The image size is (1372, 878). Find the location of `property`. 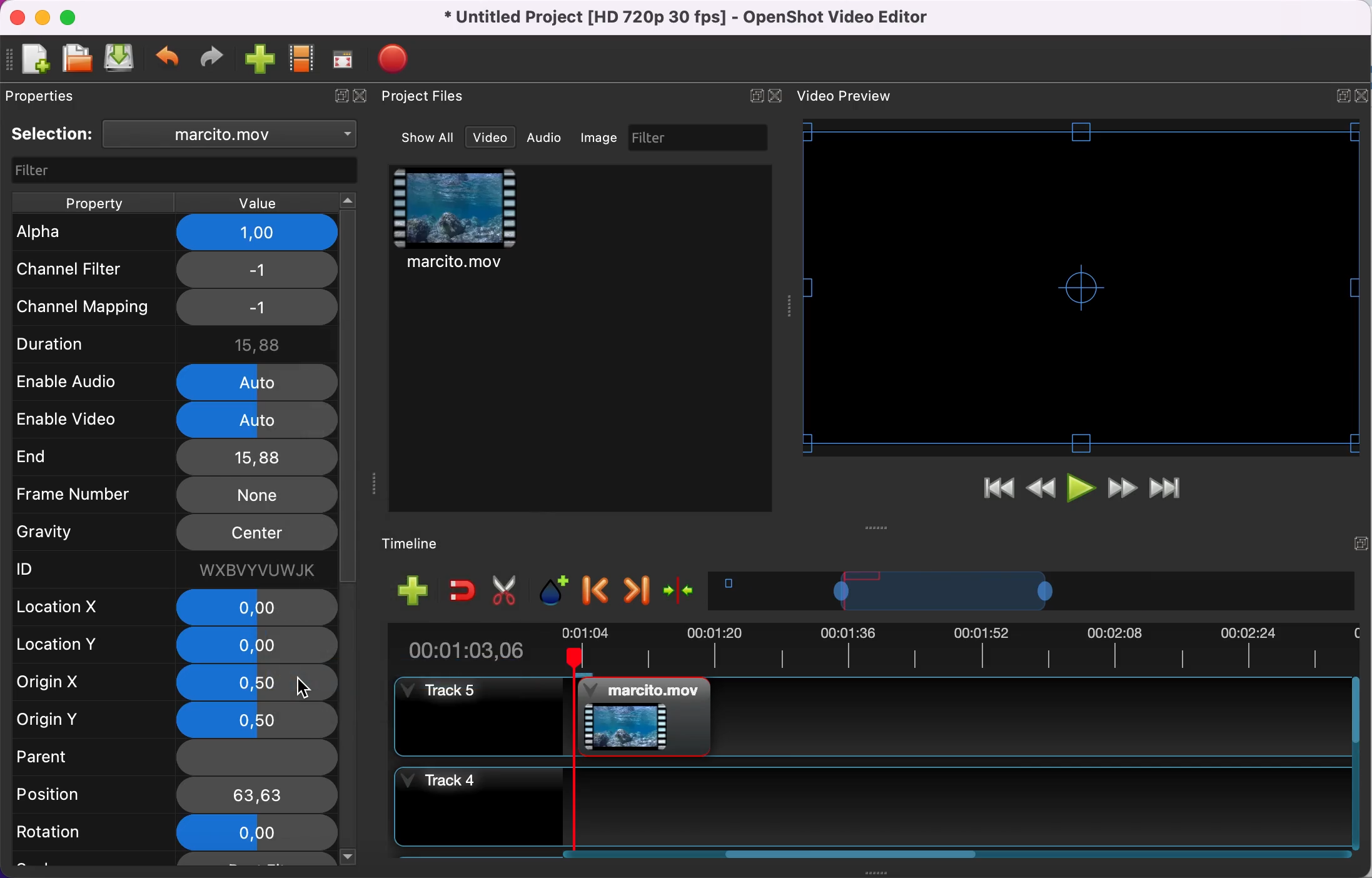

property is located at coordinates (93, 203).